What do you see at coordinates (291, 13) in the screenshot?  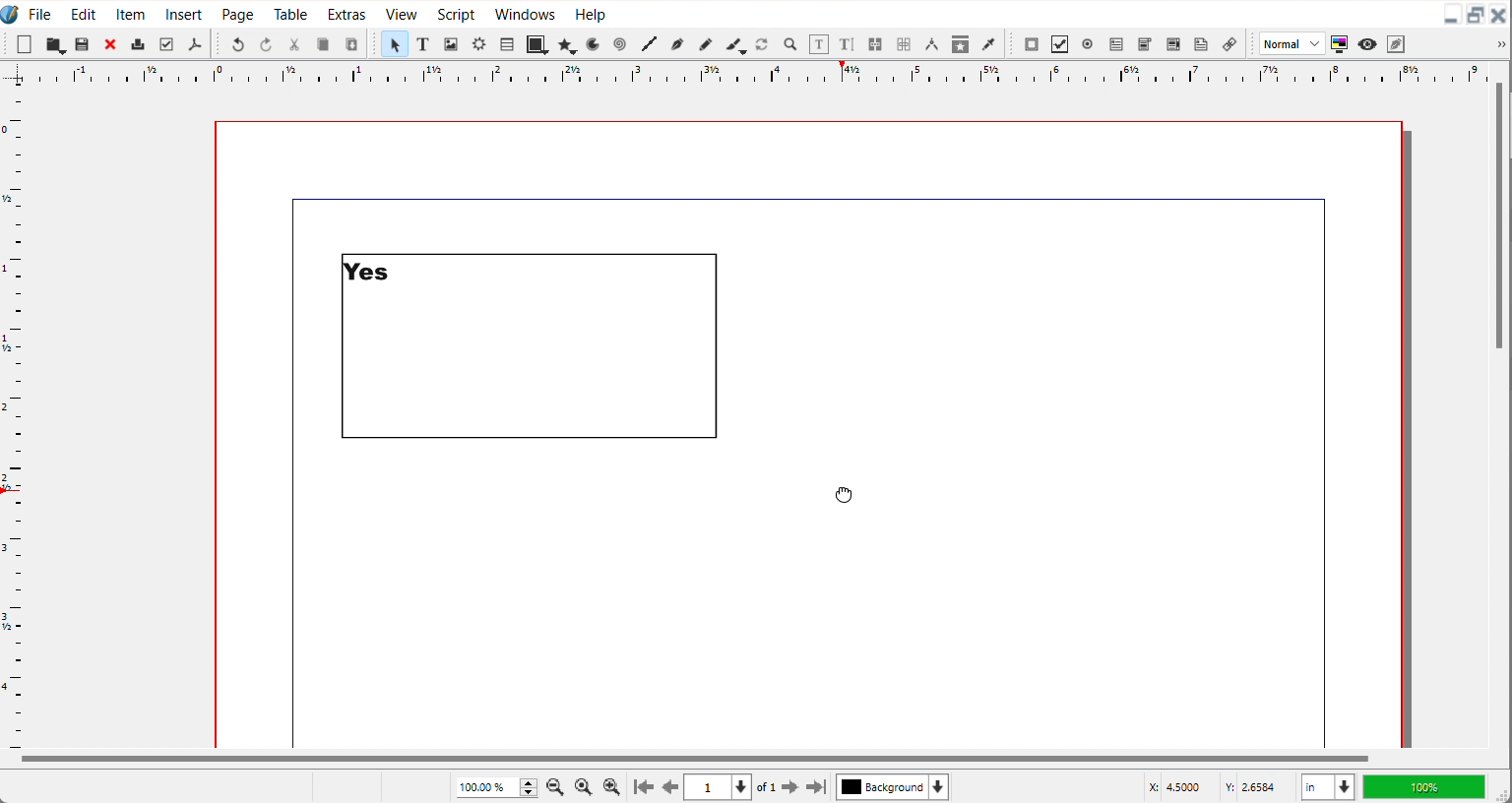 I see `Table` at bounding box center [291, 13].